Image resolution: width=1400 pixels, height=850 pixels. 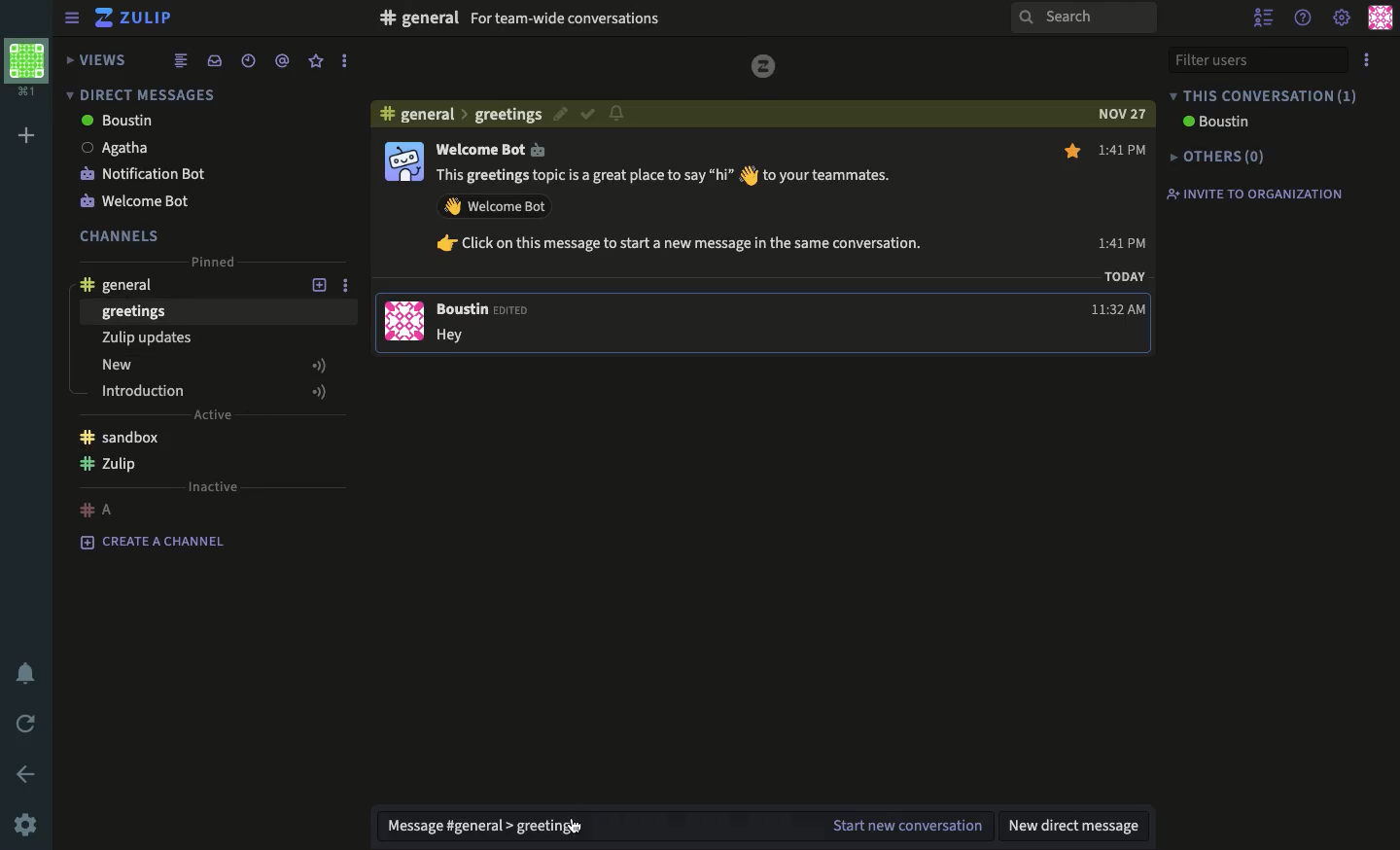 What do you see at coordinates (1306, 16) in the screenshot?
I see `help` at bounding box center [1306, 16].